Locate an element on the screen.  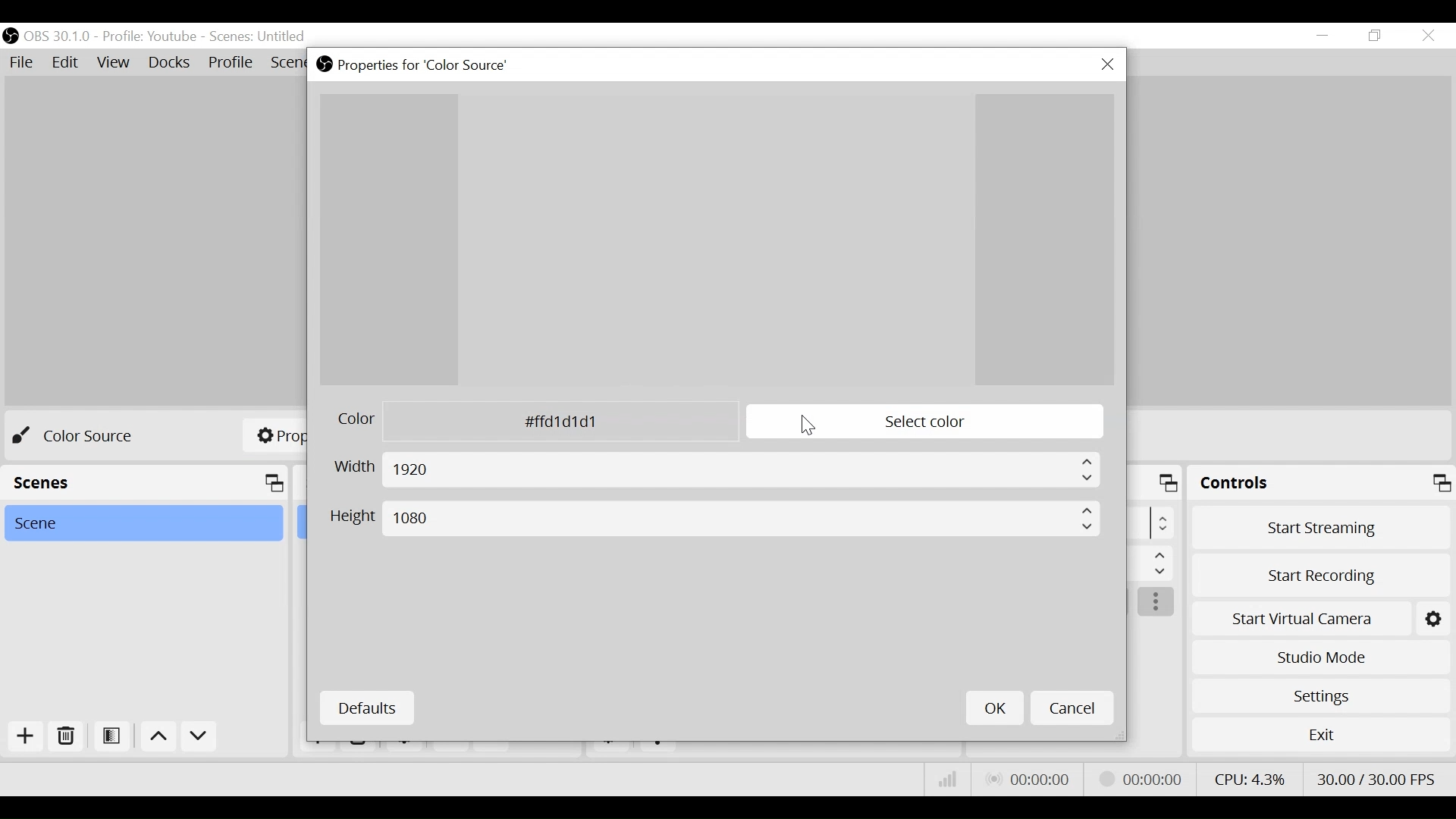
Select Color is located at coordinates (924, 422).